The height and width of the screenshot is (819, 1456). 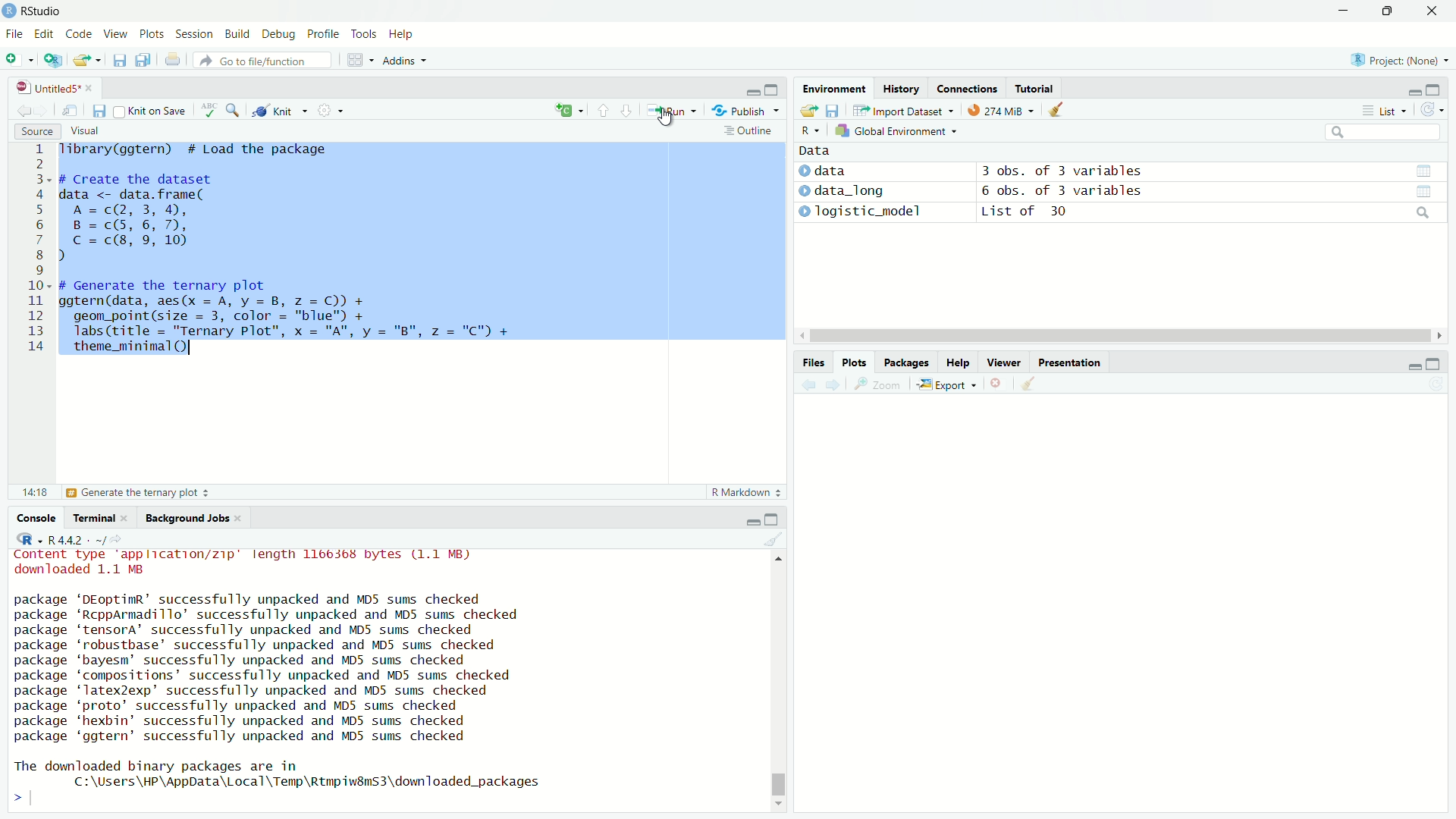 What do you see at coordinates (45, 33) in the screenshot?
I see `Edit` at bounding box center [45, 33].